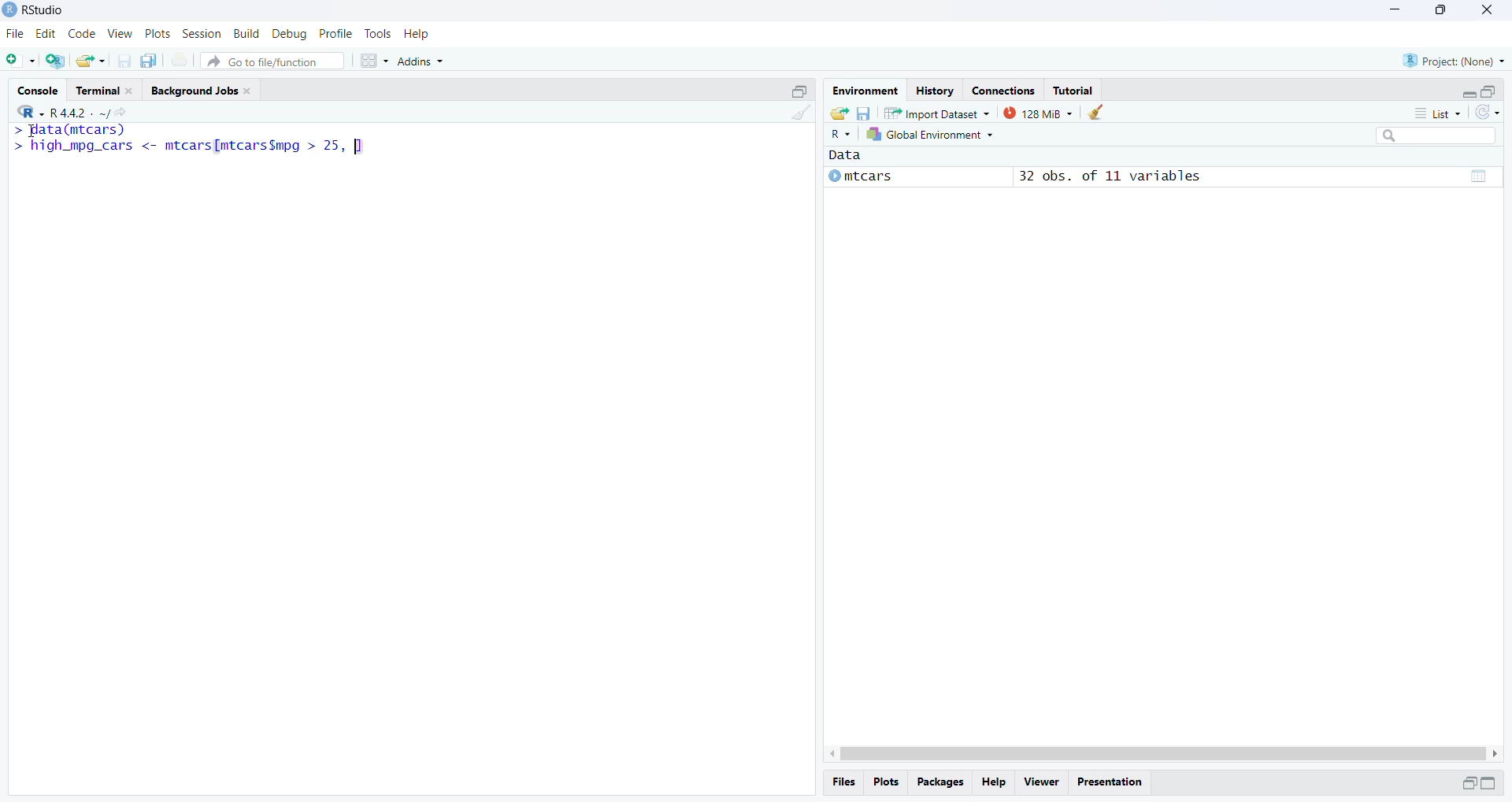 The image size is (1512, 802). I want to click on History, so click(934, 89).